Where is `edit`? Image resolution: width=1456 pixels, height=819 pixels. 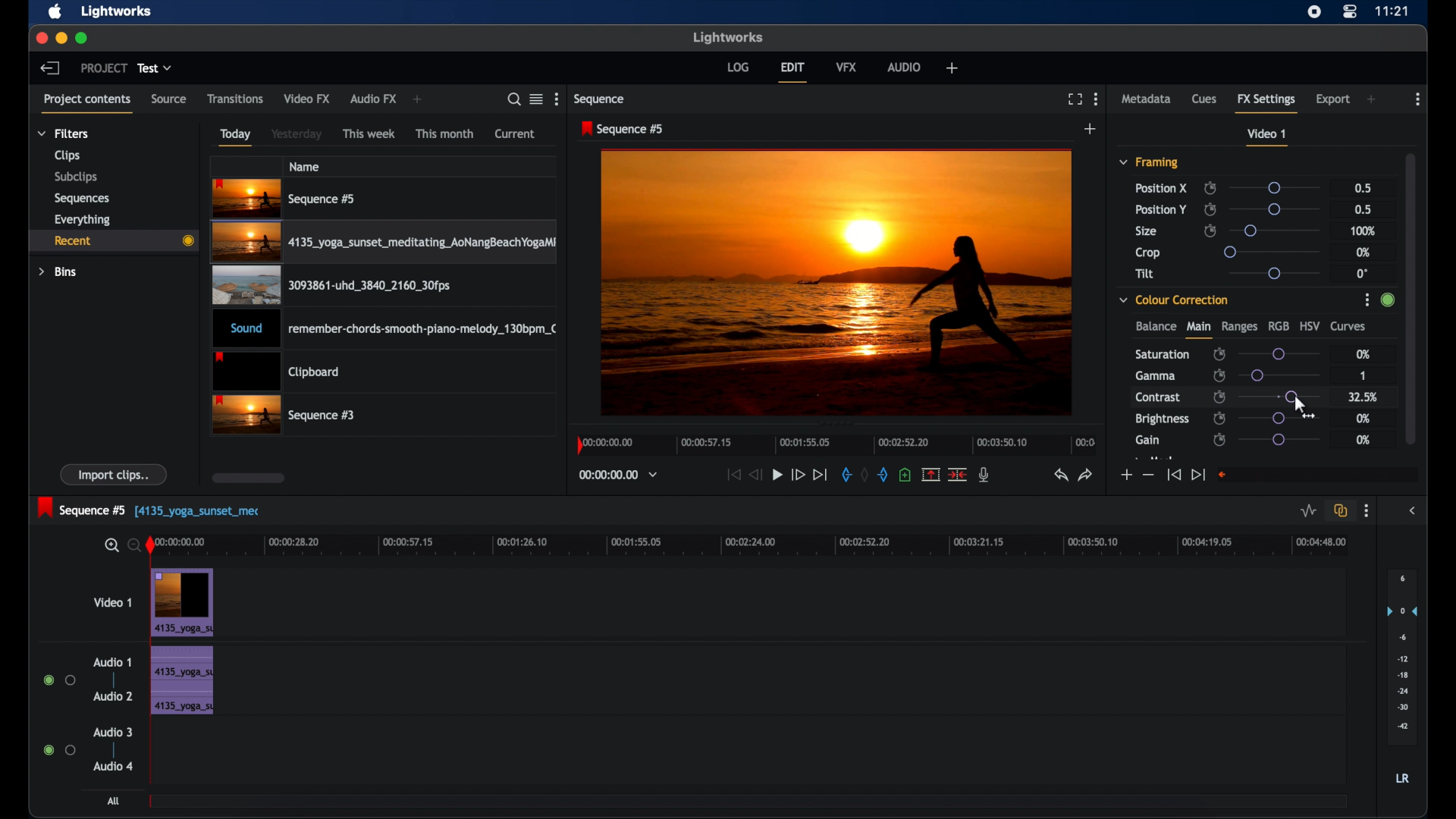
edit is located at coordinates (792, 72).